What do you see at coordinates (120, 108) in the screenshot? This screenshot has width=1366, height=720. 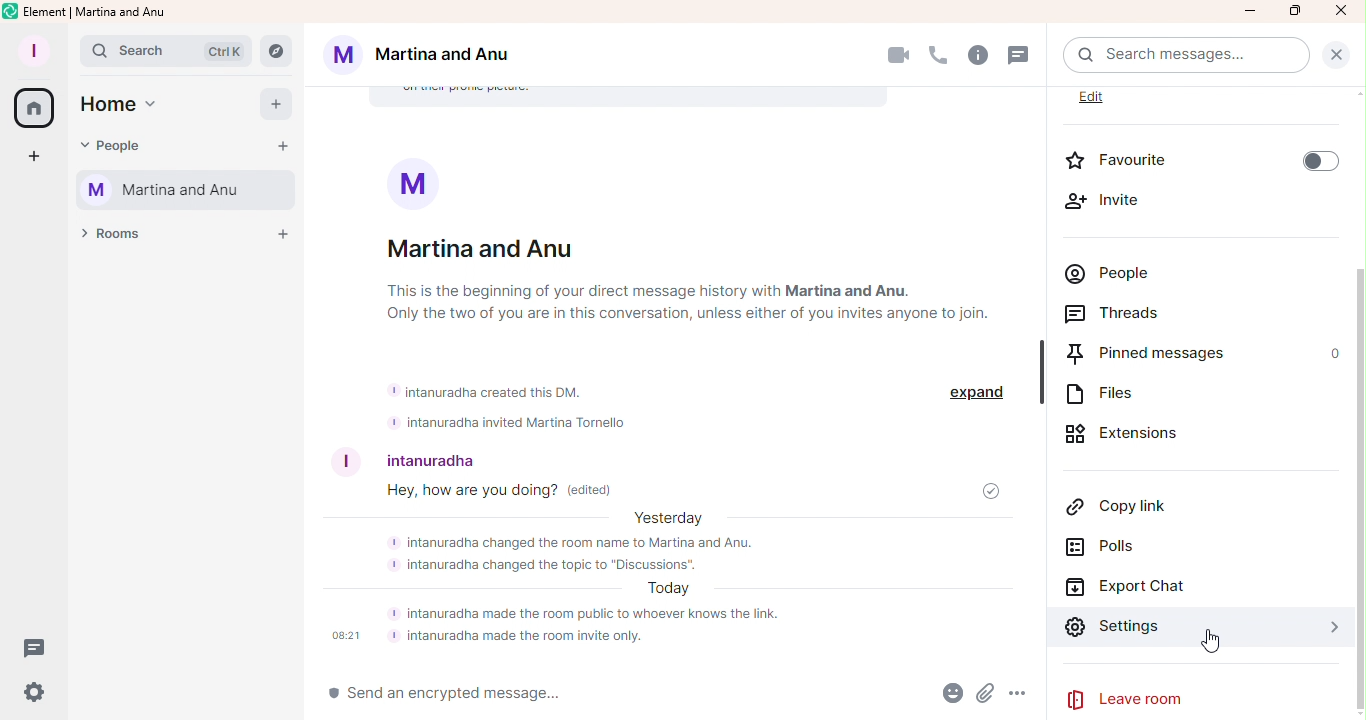 I see `Home` at bounding box center [120, 108].